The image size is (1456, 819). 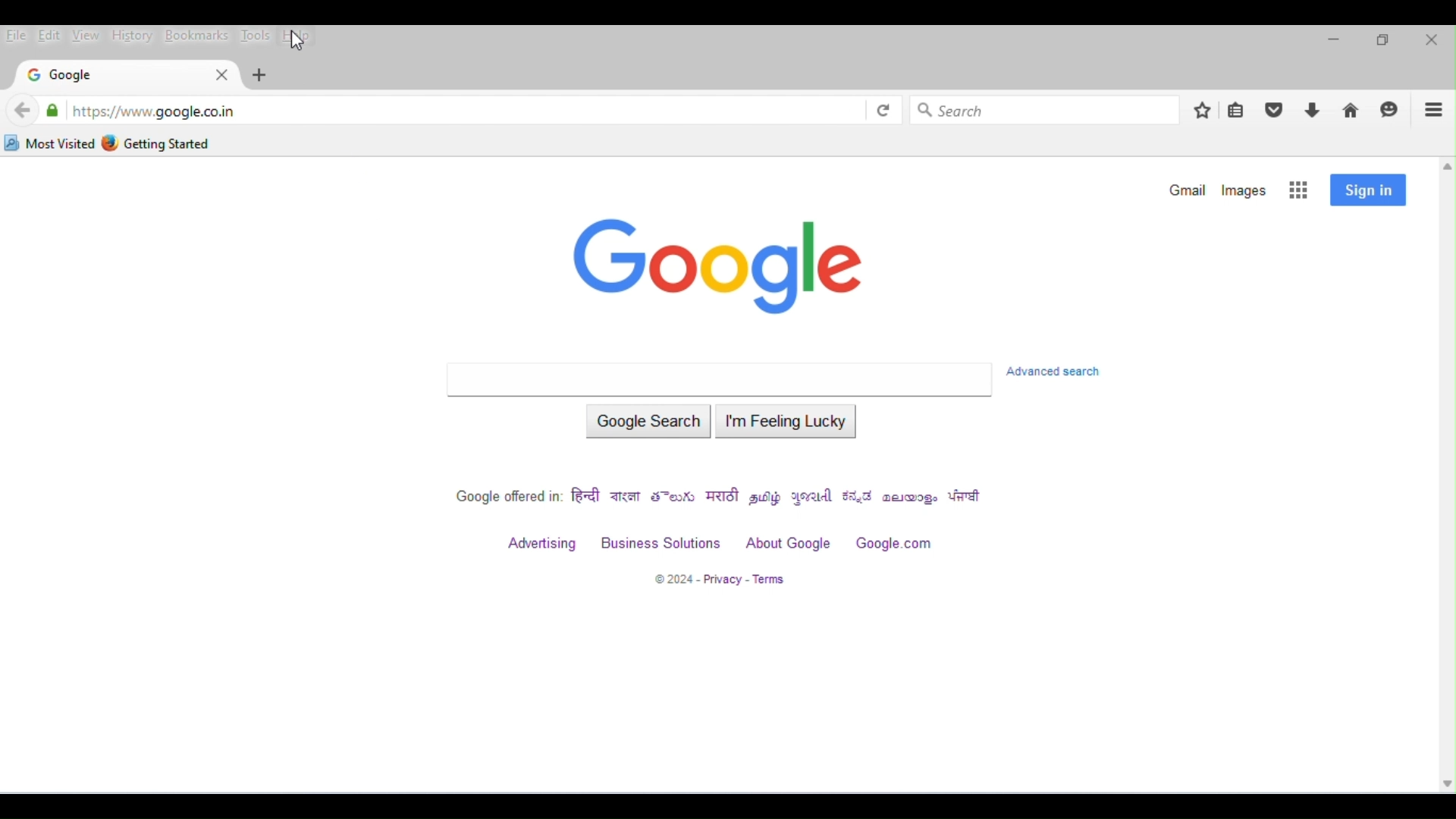 What do you see at coordinates (967, 497) in the screenshot?
I see `punjabi` at bounding box center [967, 497].